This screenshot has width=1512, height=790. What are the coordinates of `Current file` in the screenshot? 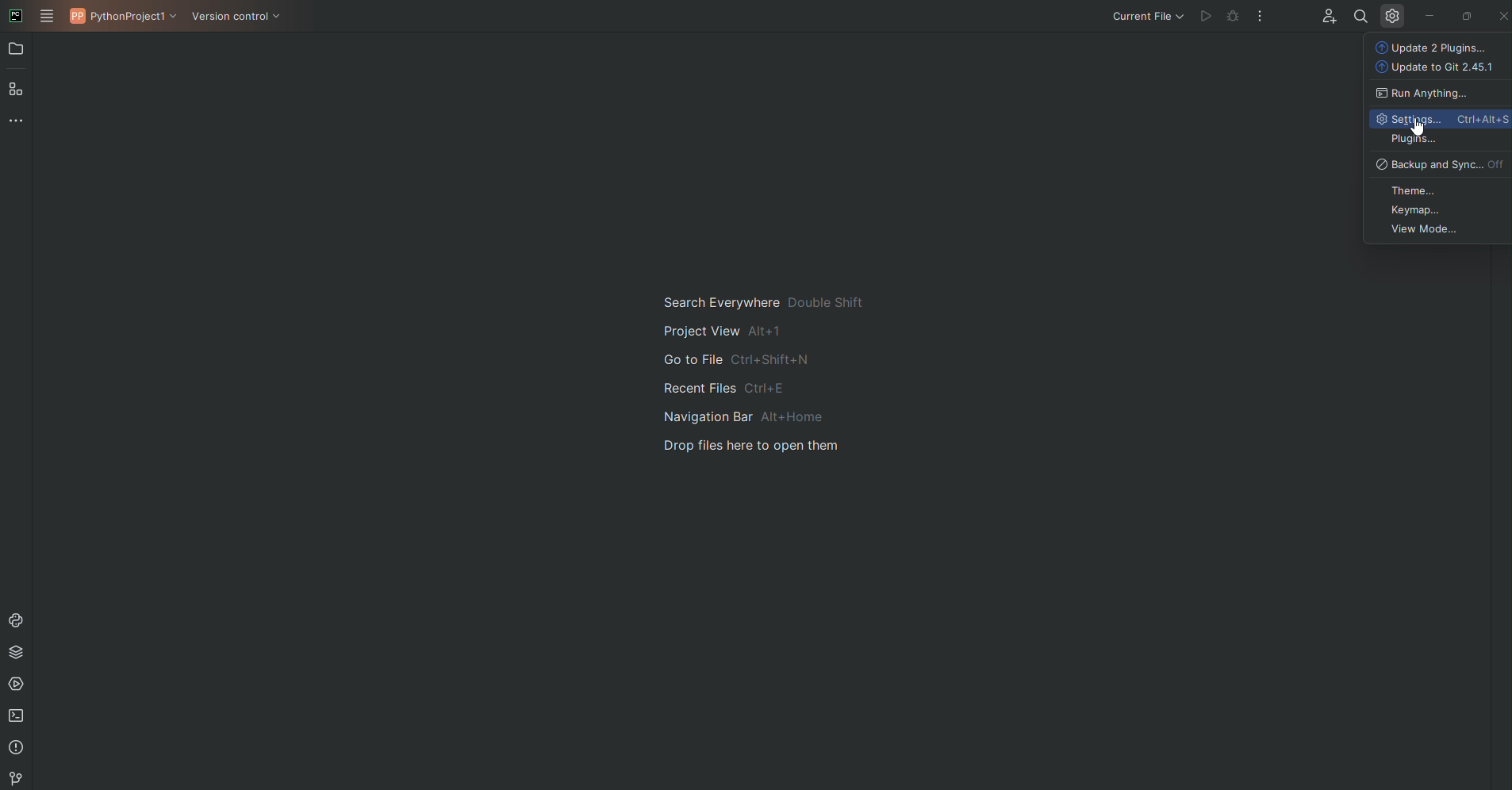 It's located at (1146, 17).